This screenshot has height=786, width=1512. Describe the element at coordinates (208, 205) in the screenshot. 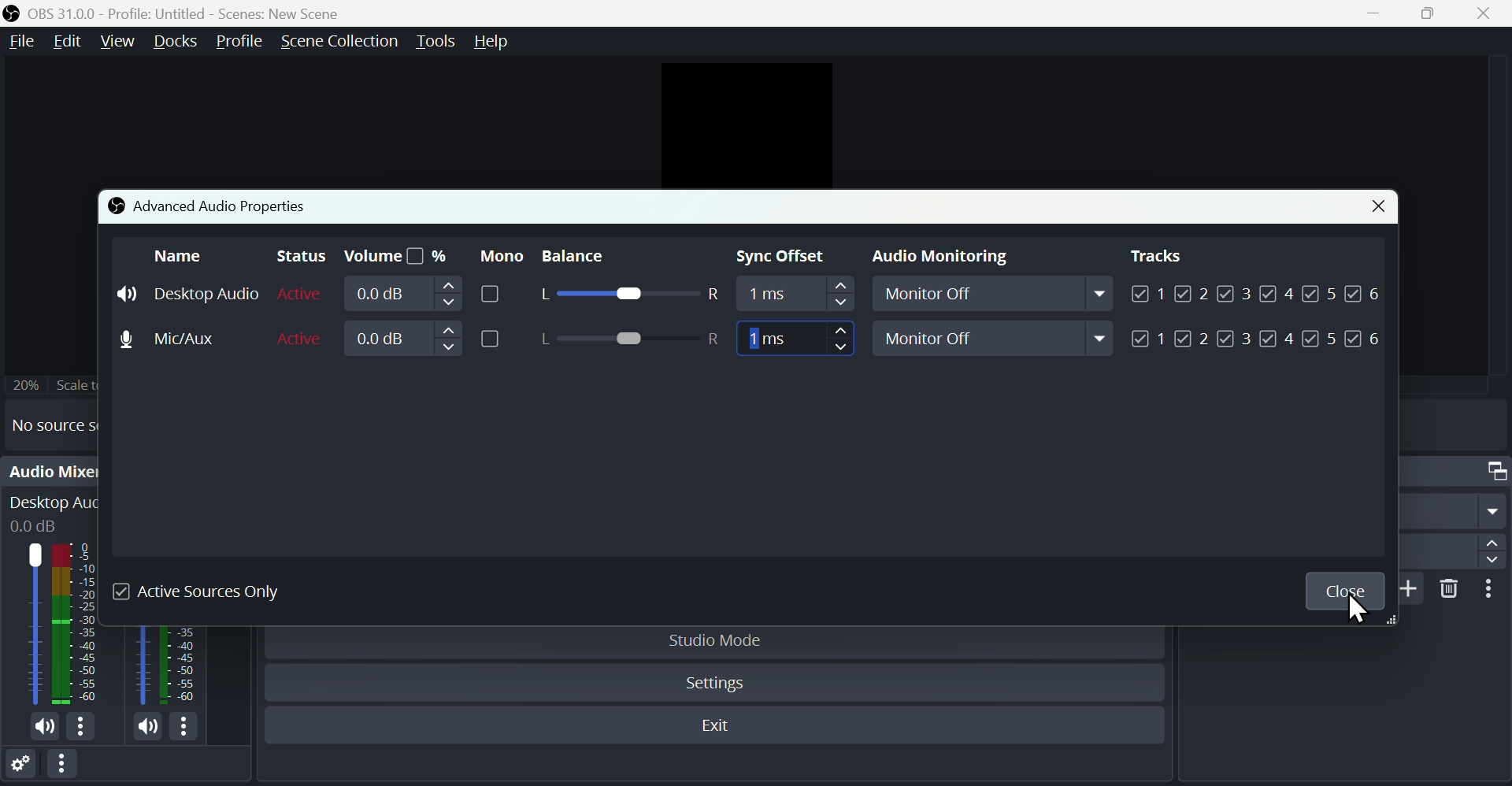

I see `Advanced audio properties` at that location.